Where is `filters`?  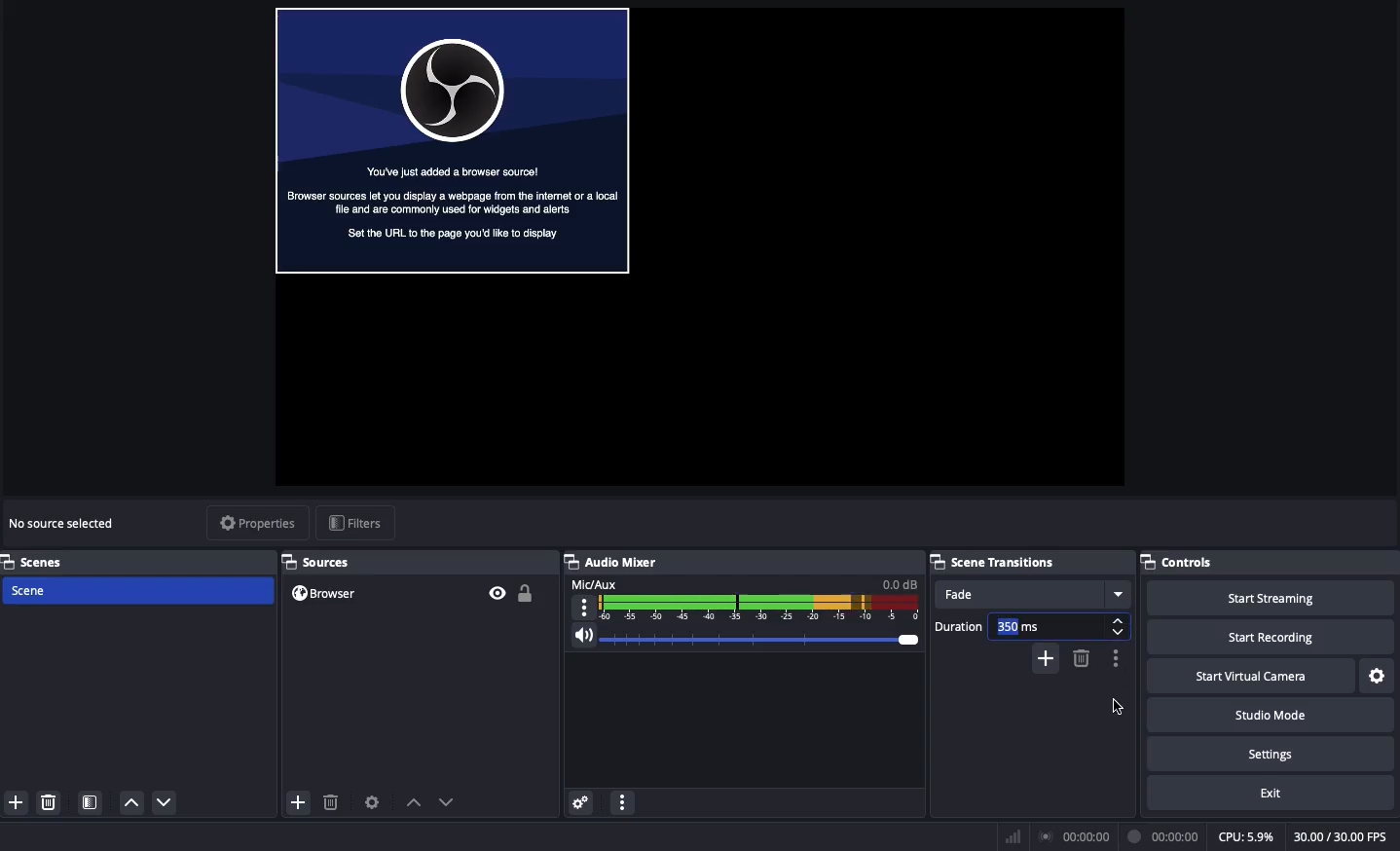 filters is located at coordinates (360, 524).